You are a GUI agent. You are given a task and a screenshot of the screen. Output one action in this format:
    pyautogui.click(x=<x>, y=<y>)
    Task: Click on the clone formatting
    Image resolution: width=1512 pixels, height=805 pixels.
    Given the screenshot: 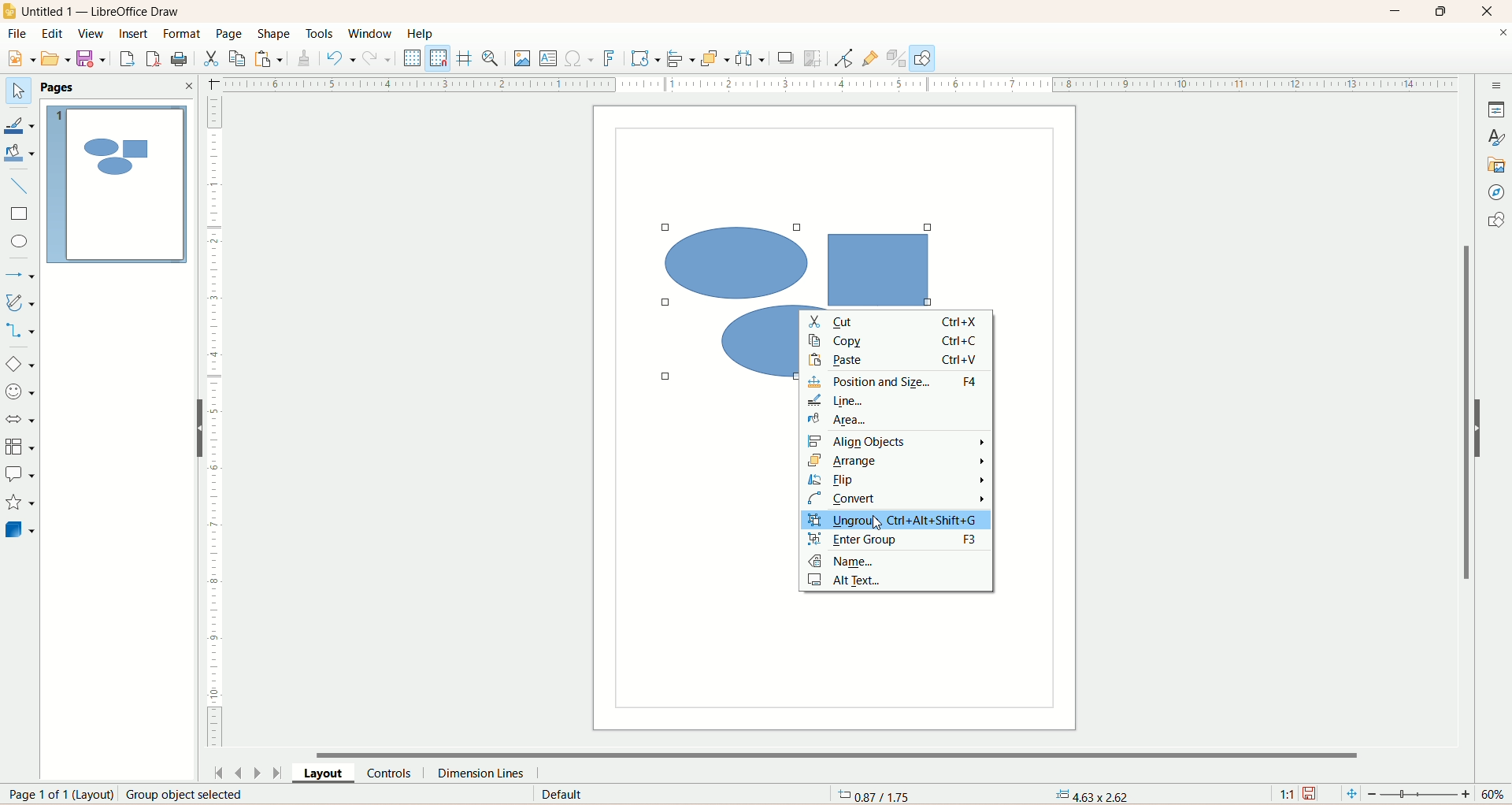 What is the action you would take?
    pyautogui.click(x=306, y=58)
    